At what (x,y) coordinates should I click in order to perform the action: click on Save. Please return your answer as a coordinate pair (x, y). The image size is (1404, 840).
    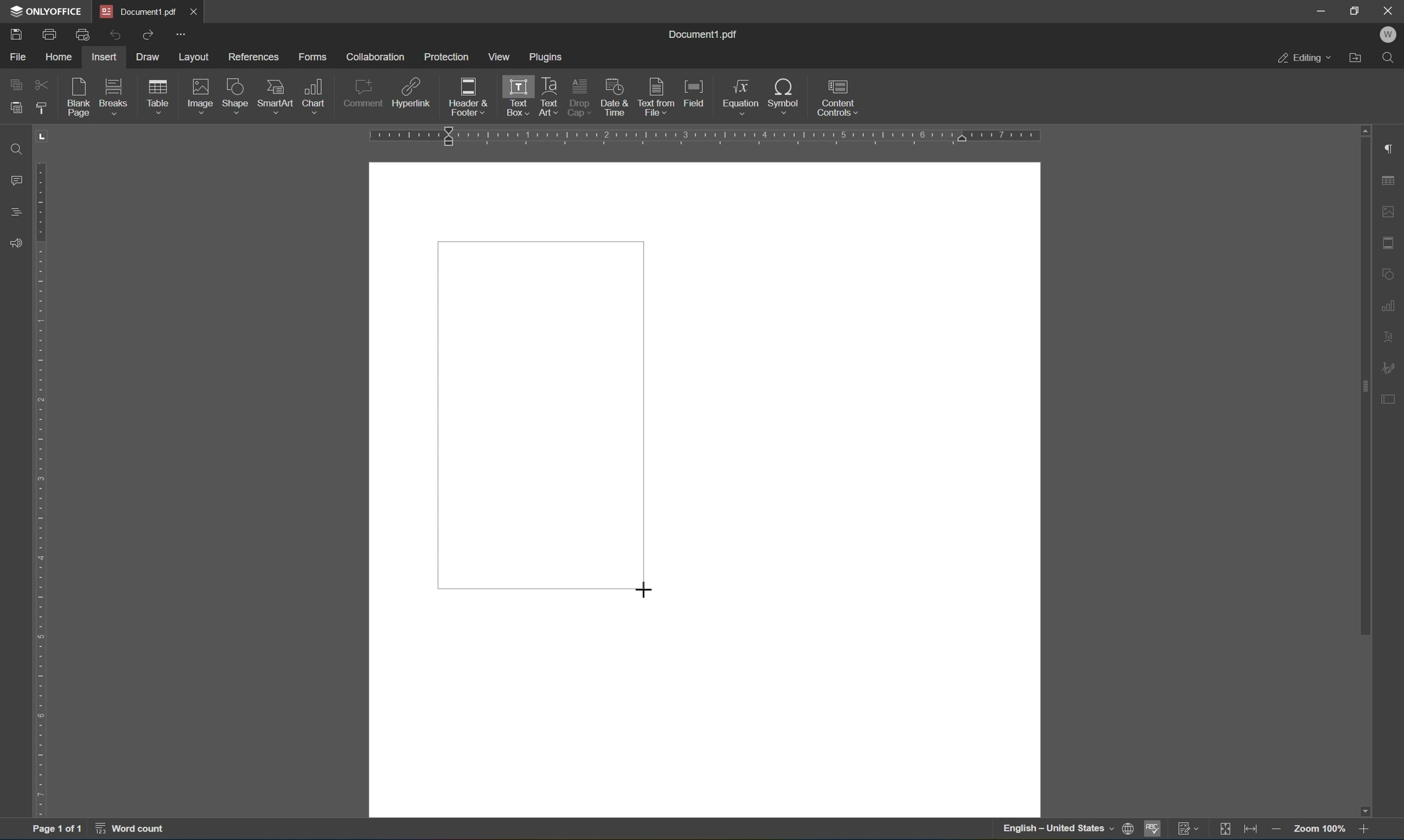
    Looking at the image, I should click on (17, 35).